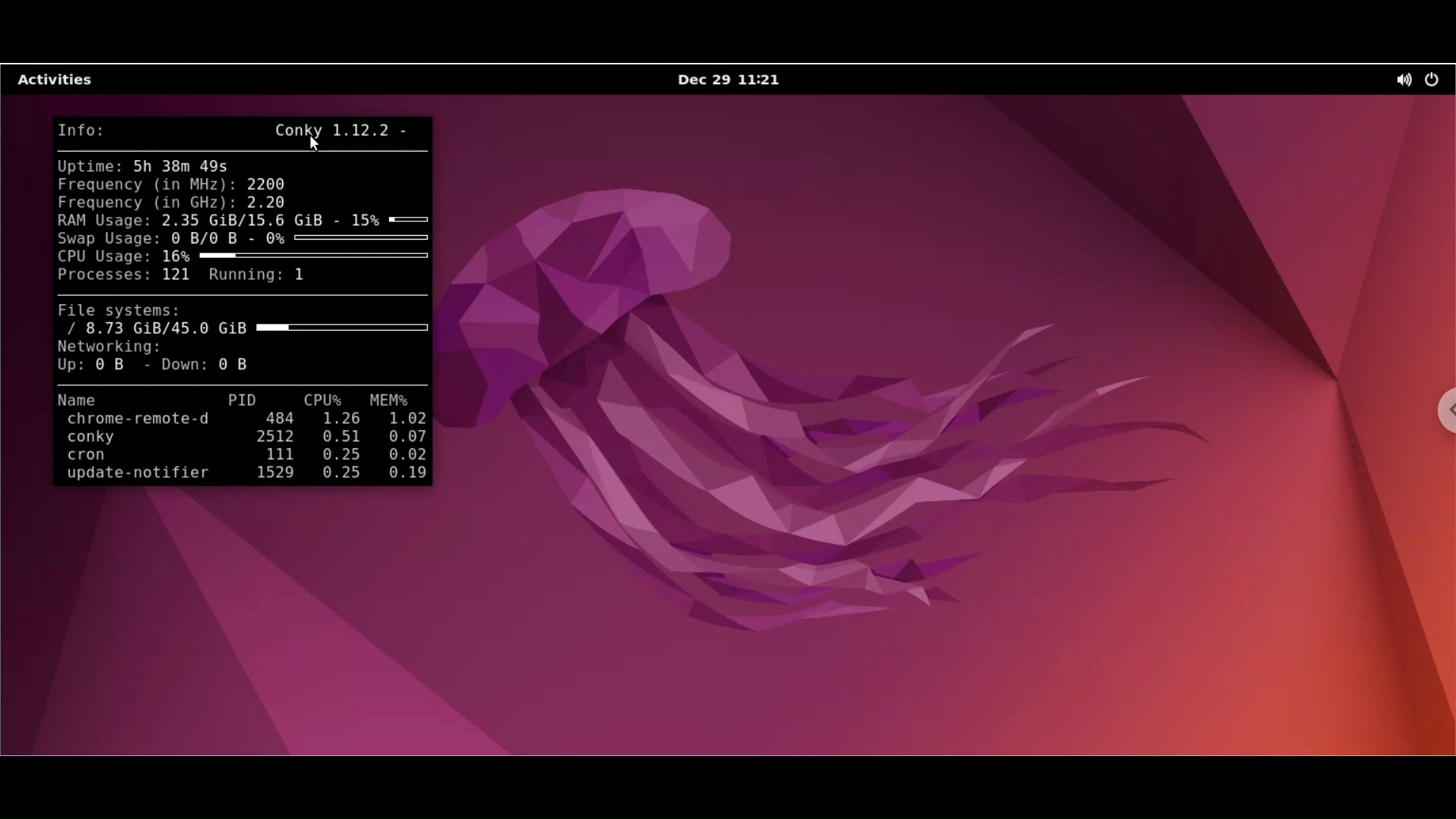 This screenshot has width=1456, height=819. I want to click on 0%, so click(349, 240).